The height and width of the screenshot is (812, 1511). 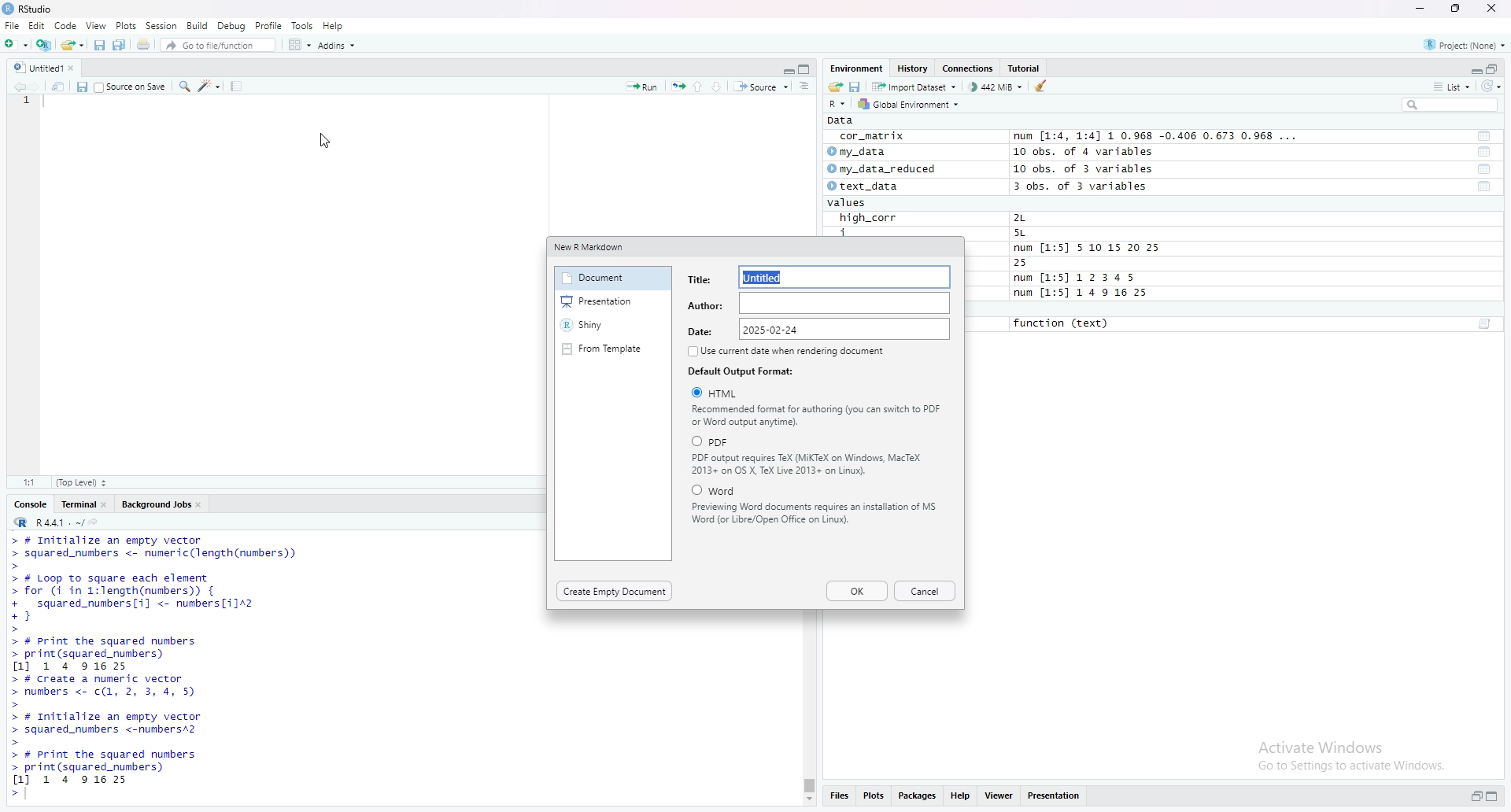 I want to click on Plots, so click(x=875, y=796).